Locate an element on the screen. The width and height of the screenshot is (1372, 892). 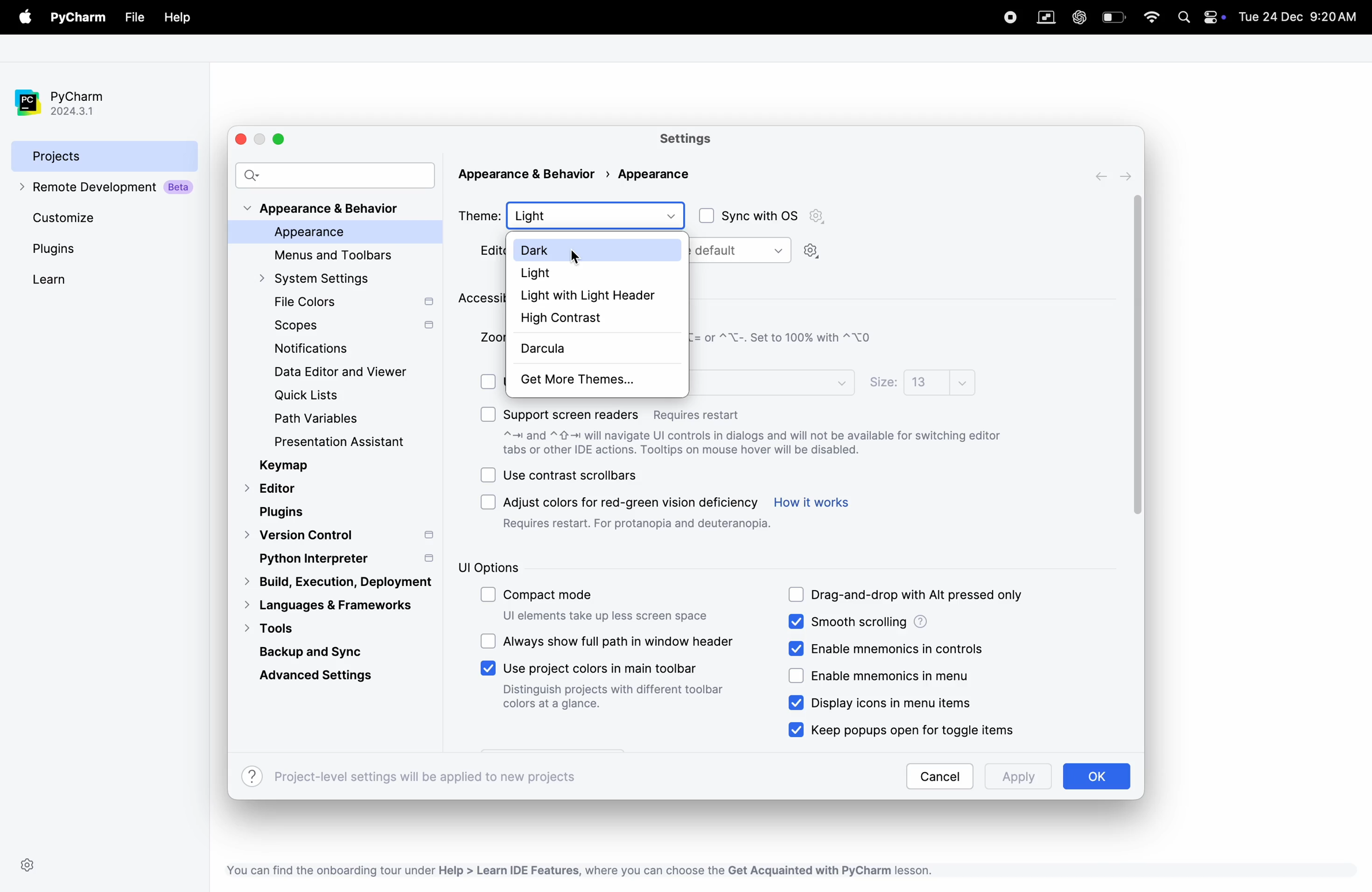
menus and toolbar is located at coordinates (340, 255).